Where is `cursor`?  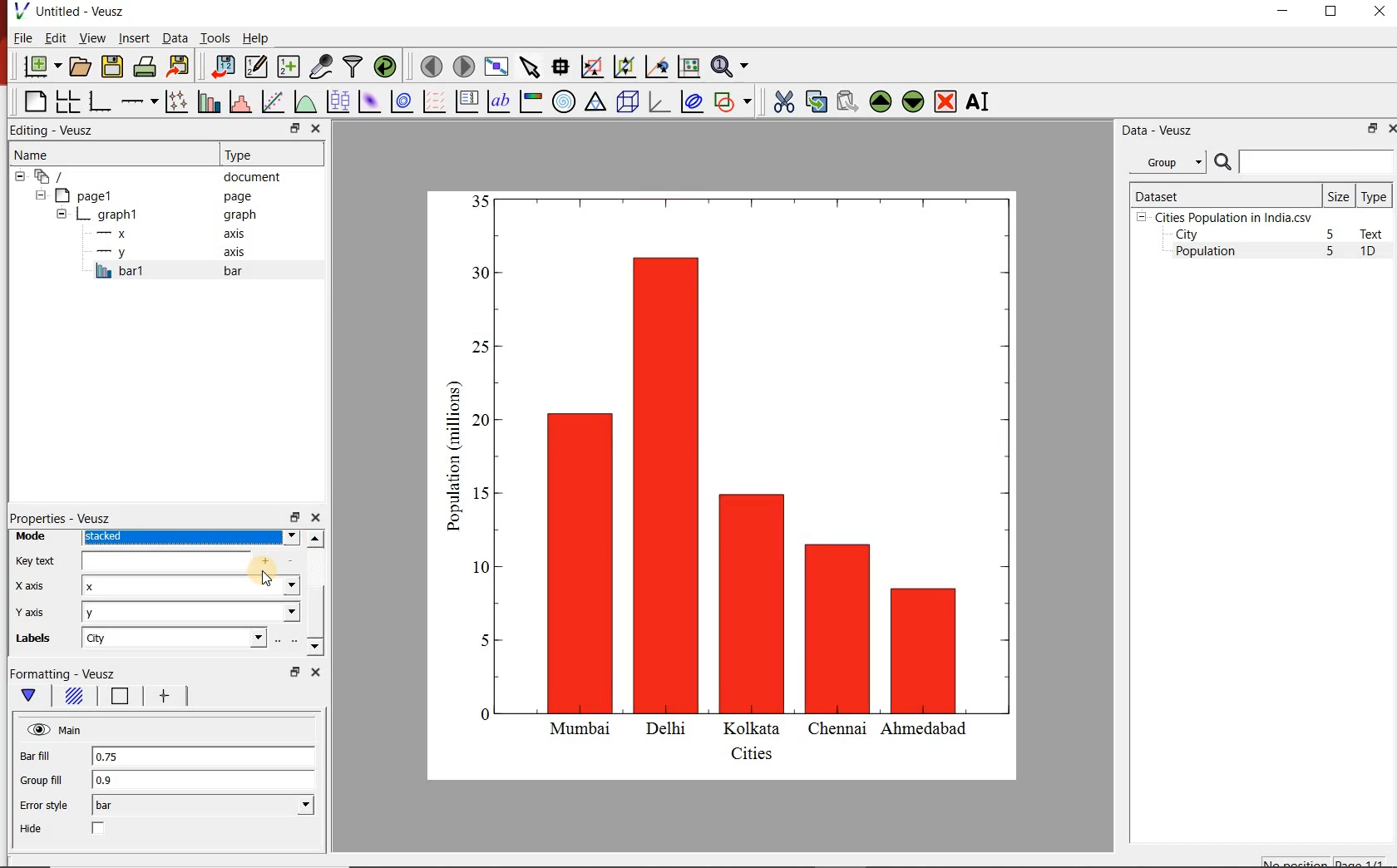
cursor is located at coordinates (270, 576).